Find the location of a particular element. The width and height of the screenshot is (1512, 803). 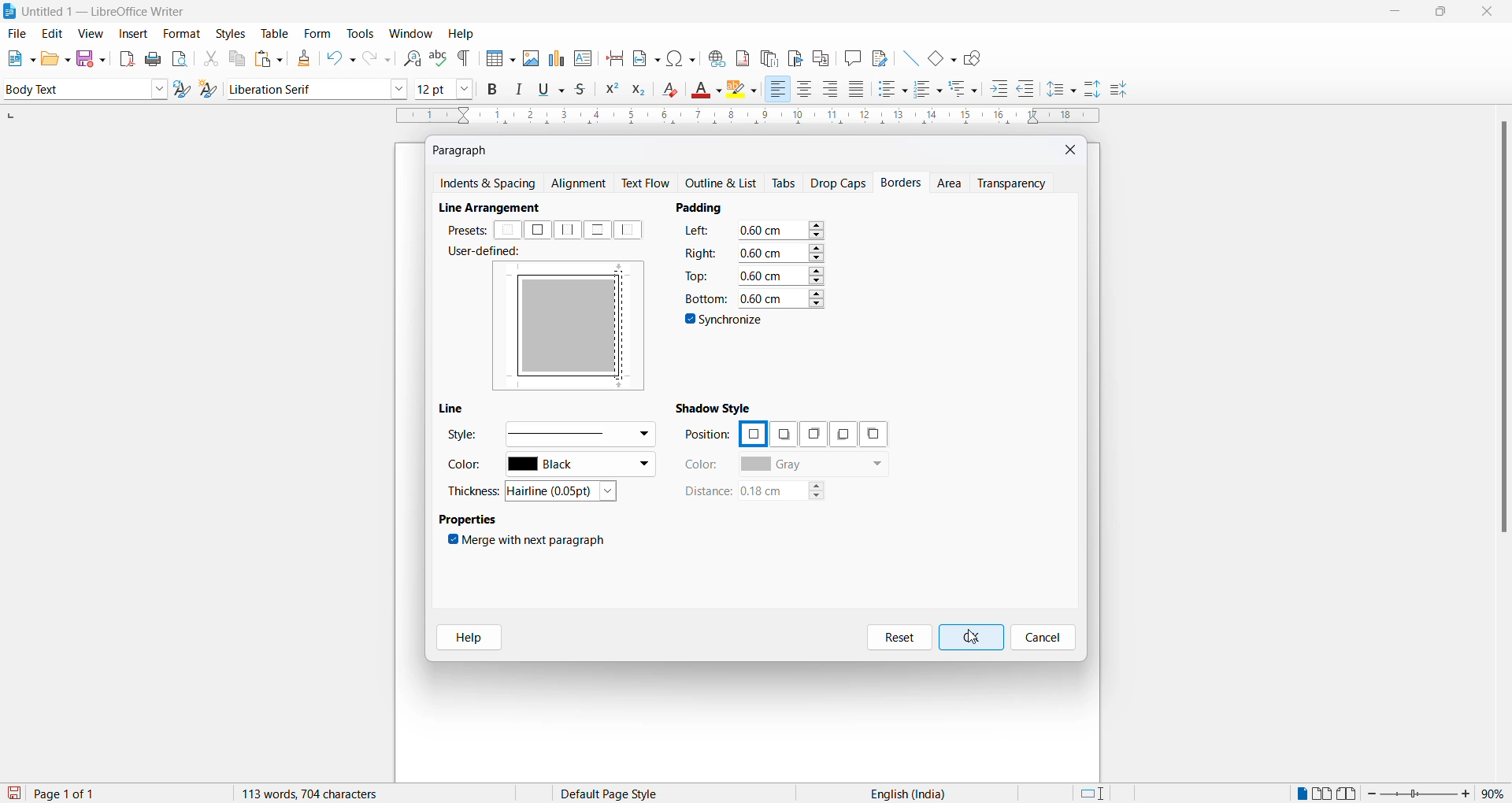

maximize is located at coordinates (1440, 13).